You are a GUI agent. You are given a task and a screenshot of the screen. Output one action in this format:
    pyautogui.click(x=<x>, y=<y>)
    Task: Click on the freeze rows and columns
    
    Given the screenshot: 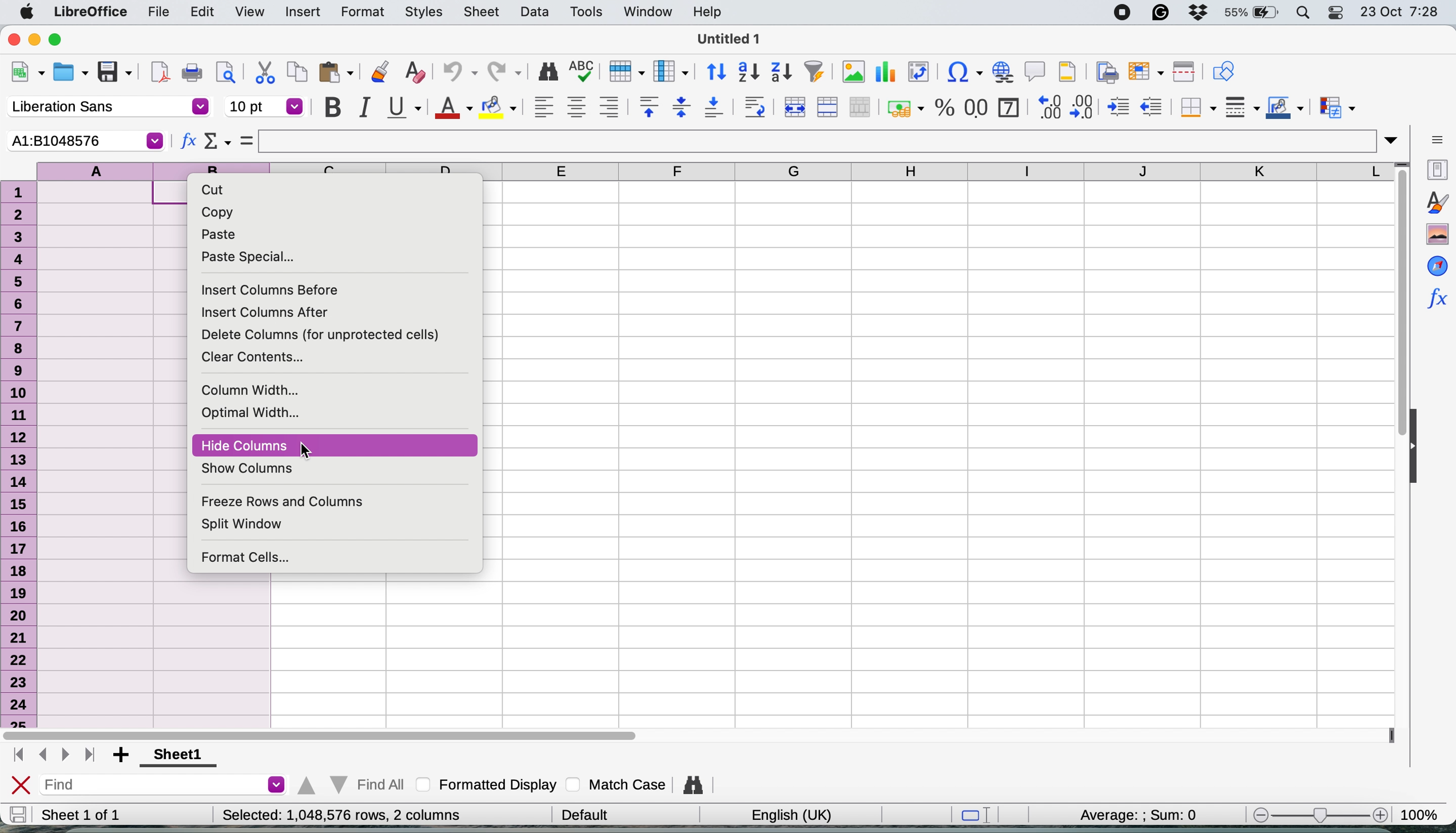 What is the action you would take?
    pyautogui.click(x=290, y=502)
    